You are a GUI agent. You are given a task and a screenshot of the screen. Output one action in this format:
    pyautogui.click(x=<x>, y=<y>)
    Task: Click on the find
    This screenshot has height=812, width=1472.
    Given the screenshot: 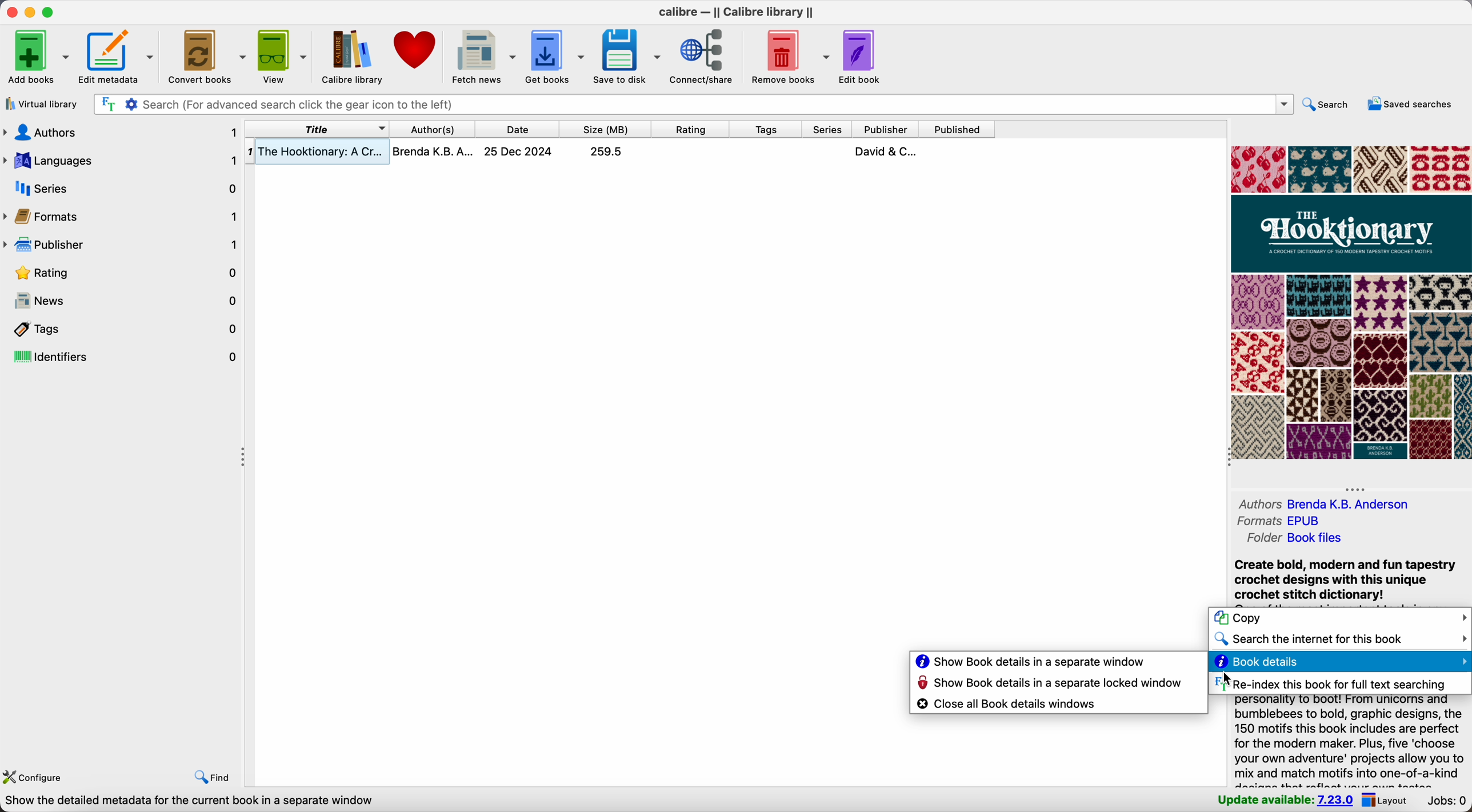 What is the action you would take?
    pyautogui.click(x=211, y=778)
    